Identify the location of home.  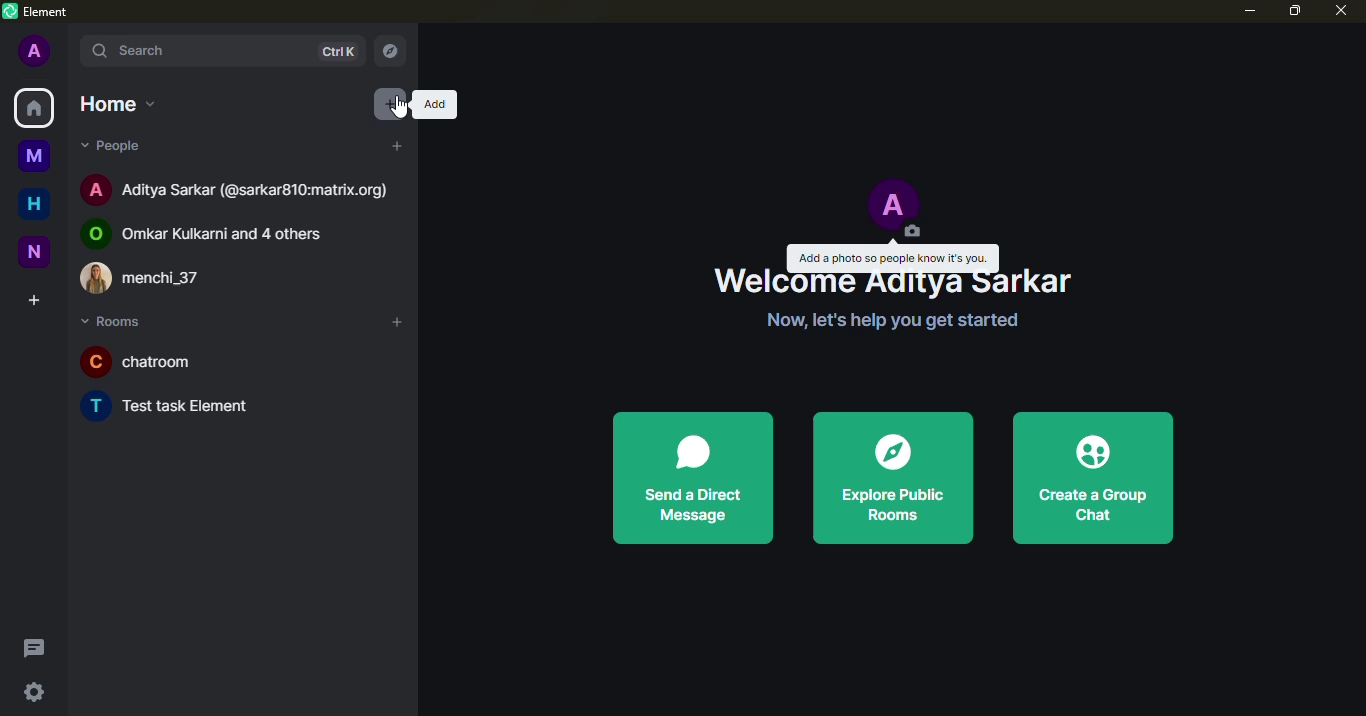
(35, 204).